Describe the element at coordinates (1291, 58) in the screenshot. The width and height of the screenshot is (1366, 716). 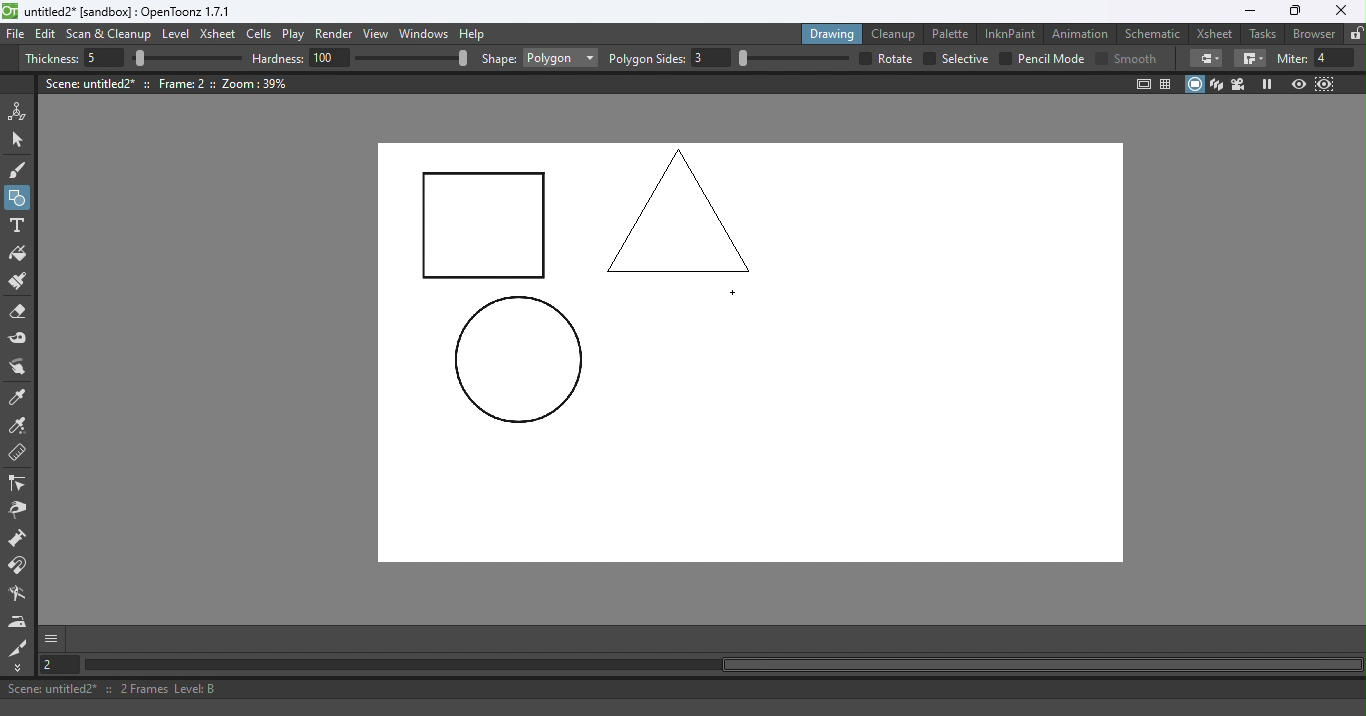
I see `miter` at that location.